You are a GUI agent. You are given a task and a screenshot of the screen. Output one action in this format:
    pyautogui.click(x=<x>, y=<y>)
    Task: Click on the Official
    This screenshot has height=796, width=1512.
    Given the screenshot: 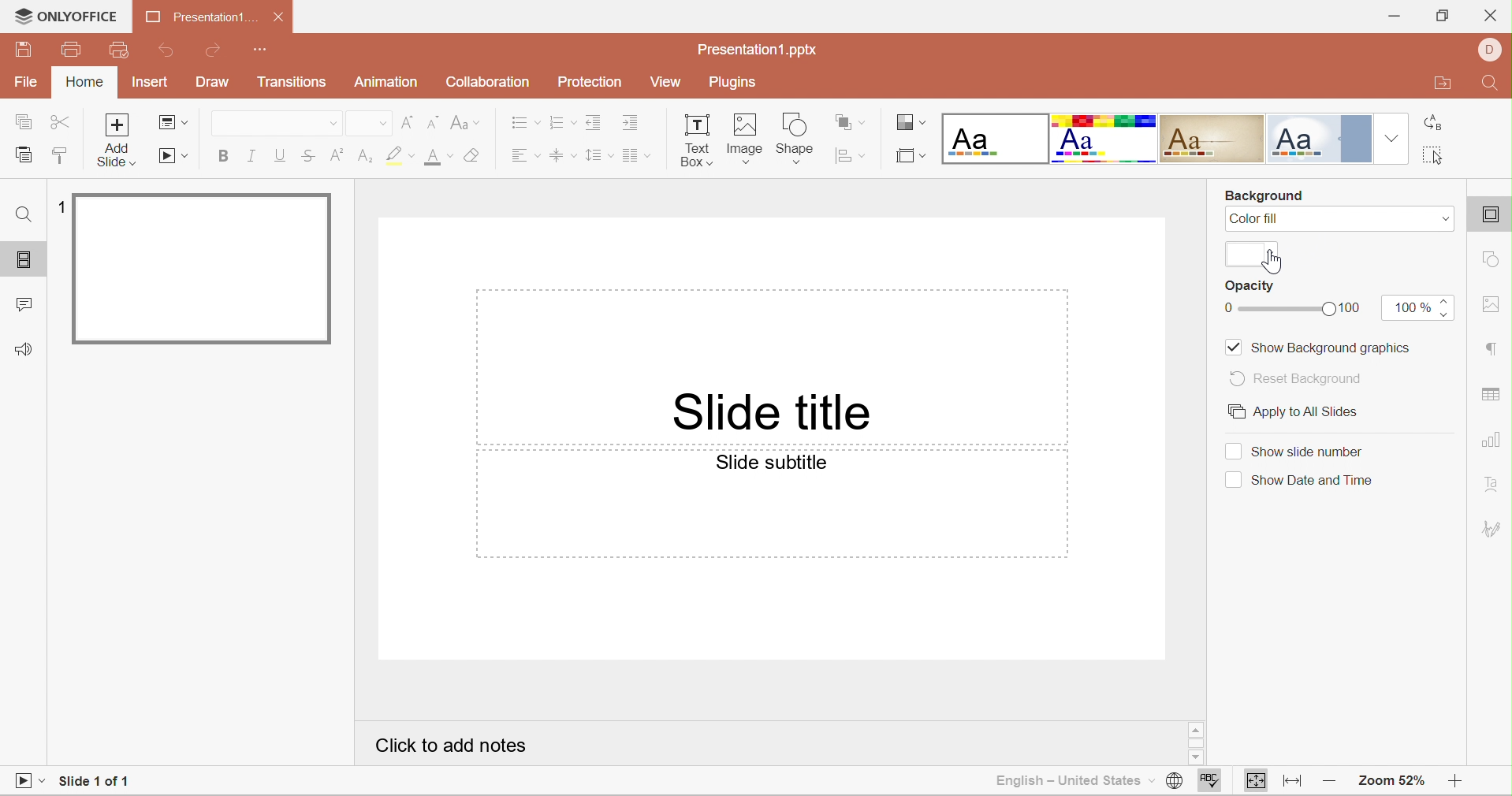 What is the action you would take?
    pyautogui.click(x=1320, y=139)
    